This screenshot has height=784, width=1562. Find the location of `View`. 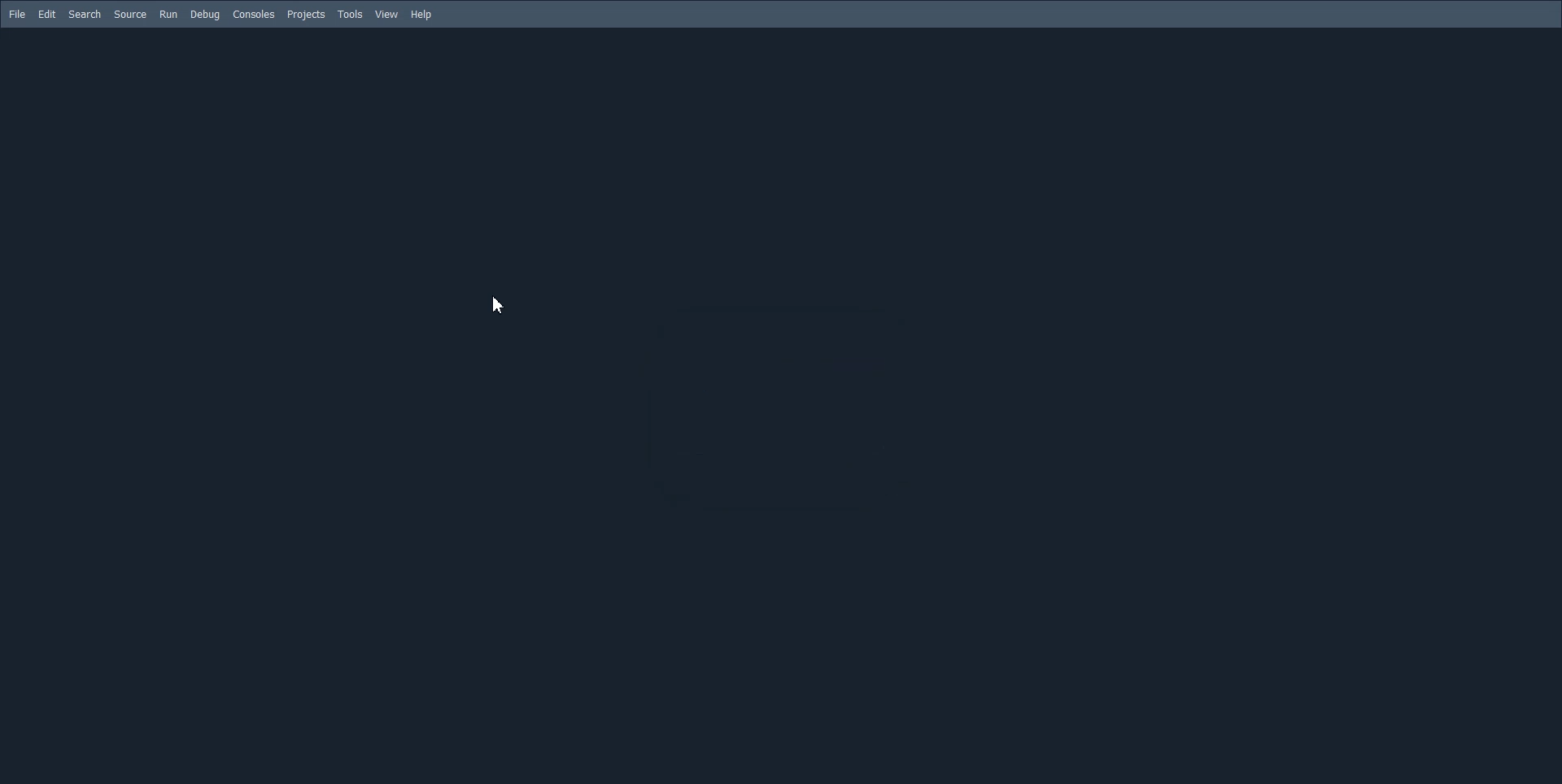

View is located at coordinates (387, 14).